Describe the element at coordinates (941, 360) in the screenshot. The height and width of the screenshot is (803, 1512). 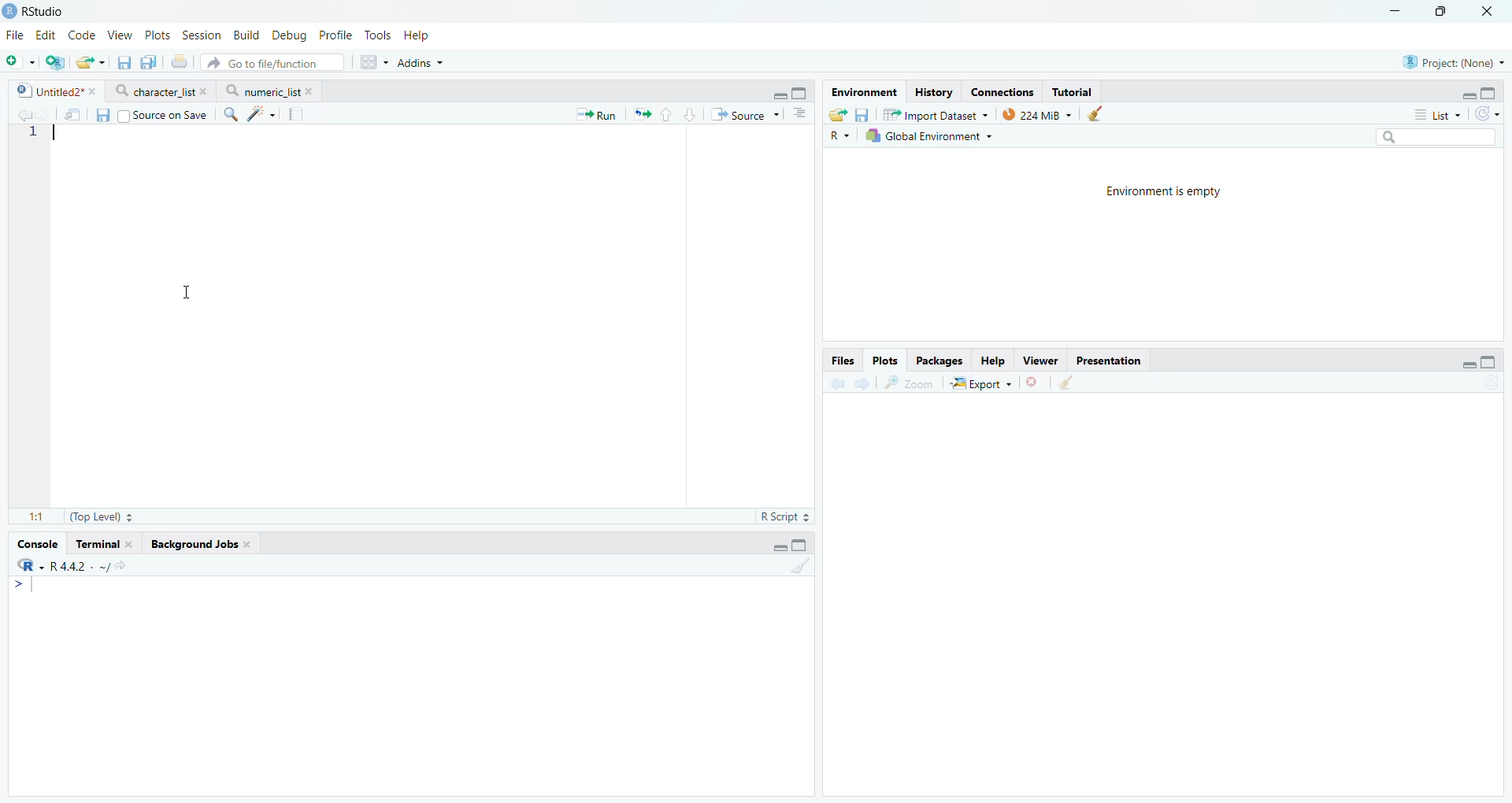
I see `Packages` at that location.